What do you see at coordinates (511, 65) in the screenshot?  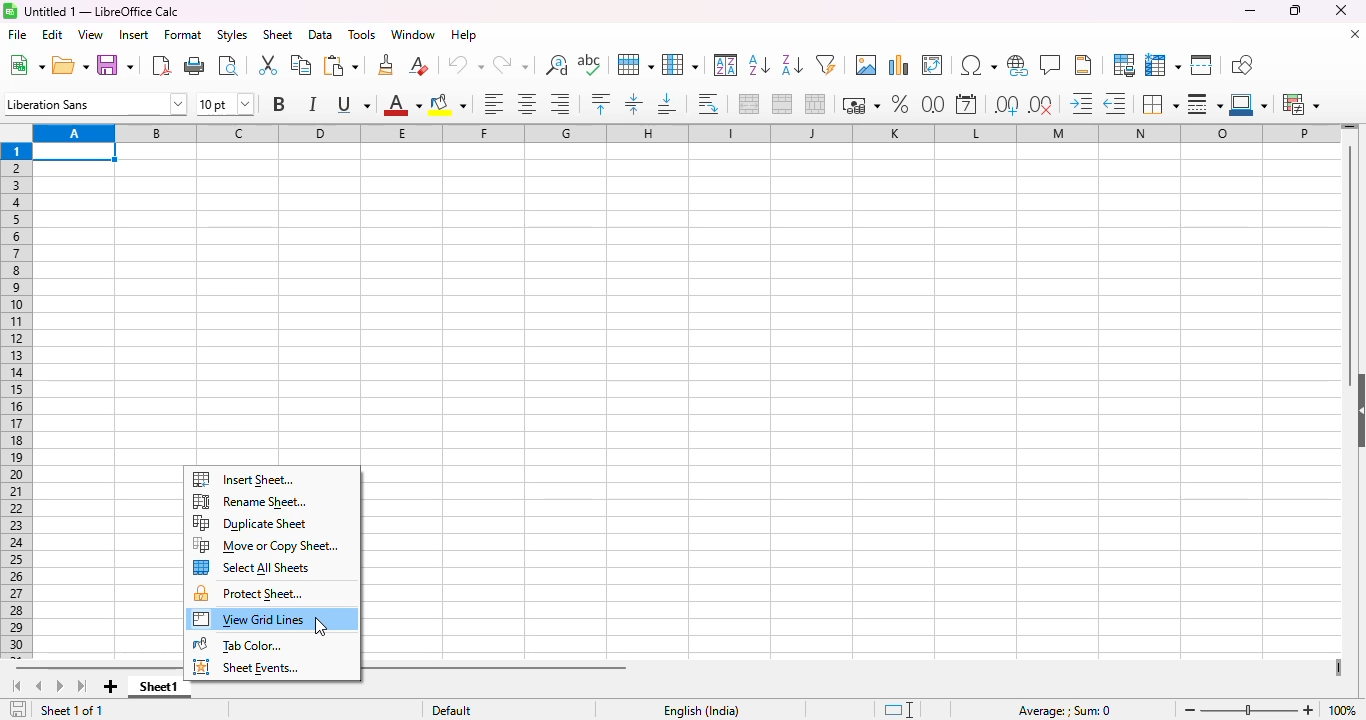 I see `redo` at bounding box center [511, 65].